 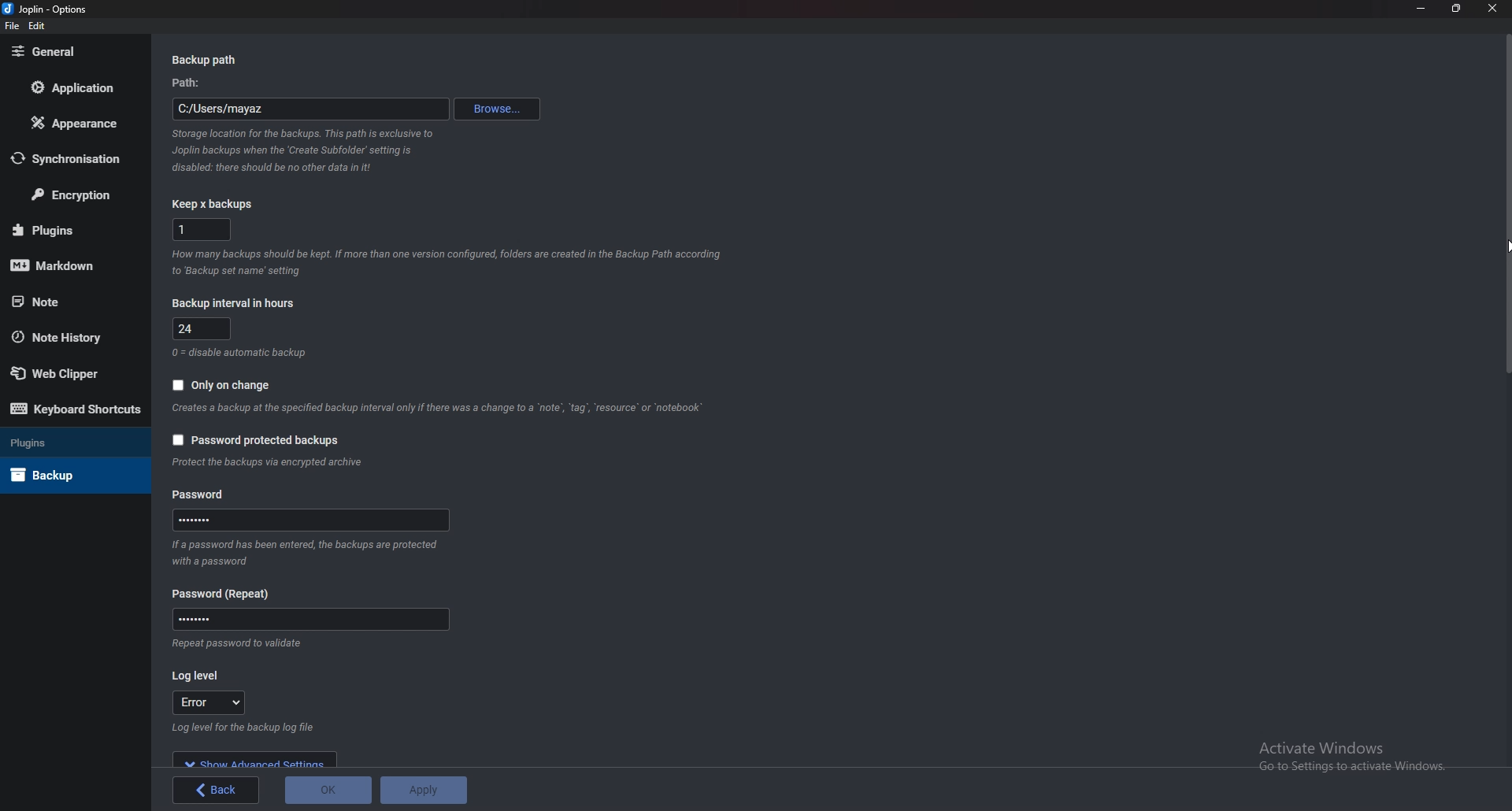 What do you see at coordinates (202, 228) in the screenshot?
I see `x` at bounding box center [202, 228].